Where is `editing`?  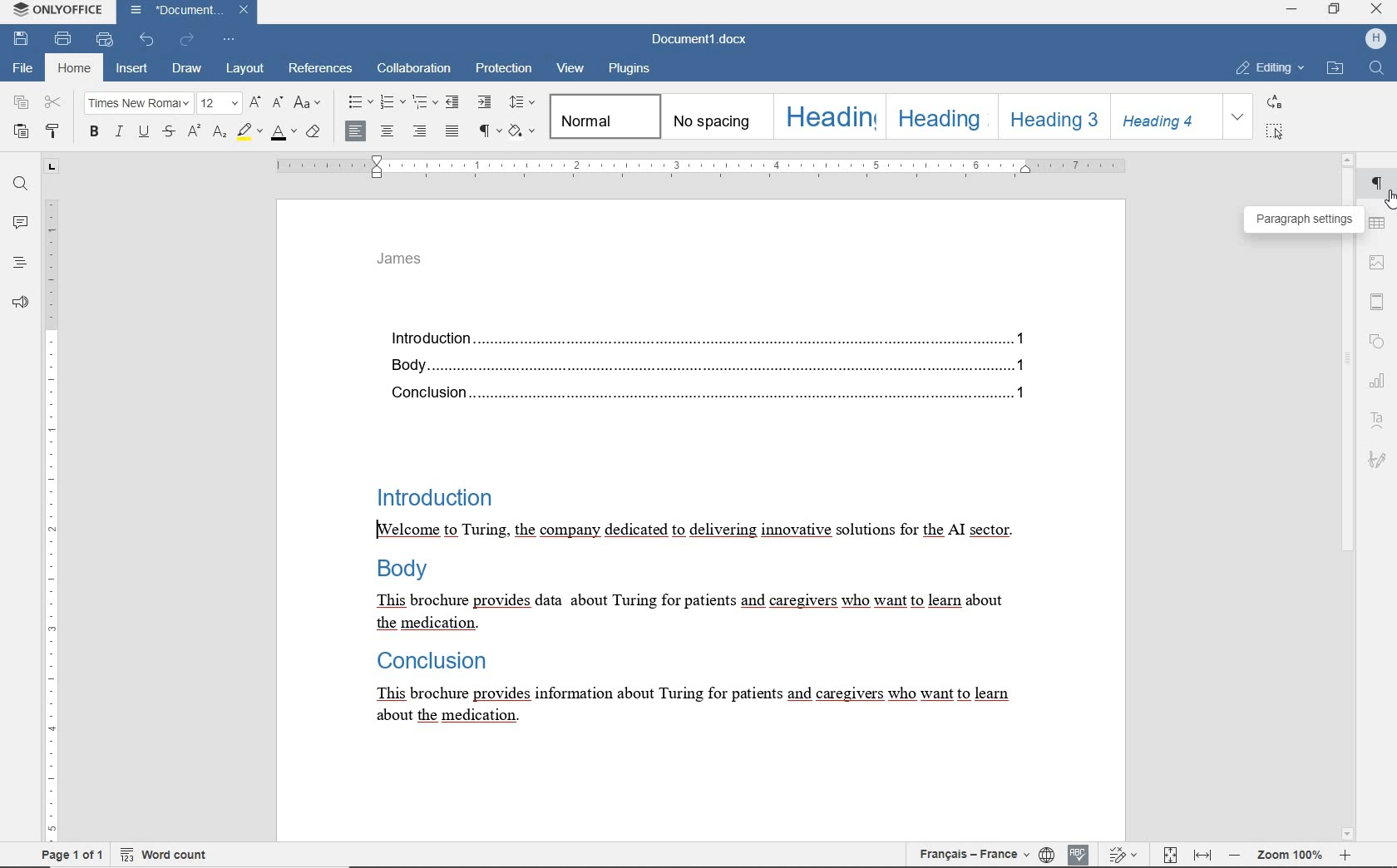 editing is located at coordinates (1271, 68).